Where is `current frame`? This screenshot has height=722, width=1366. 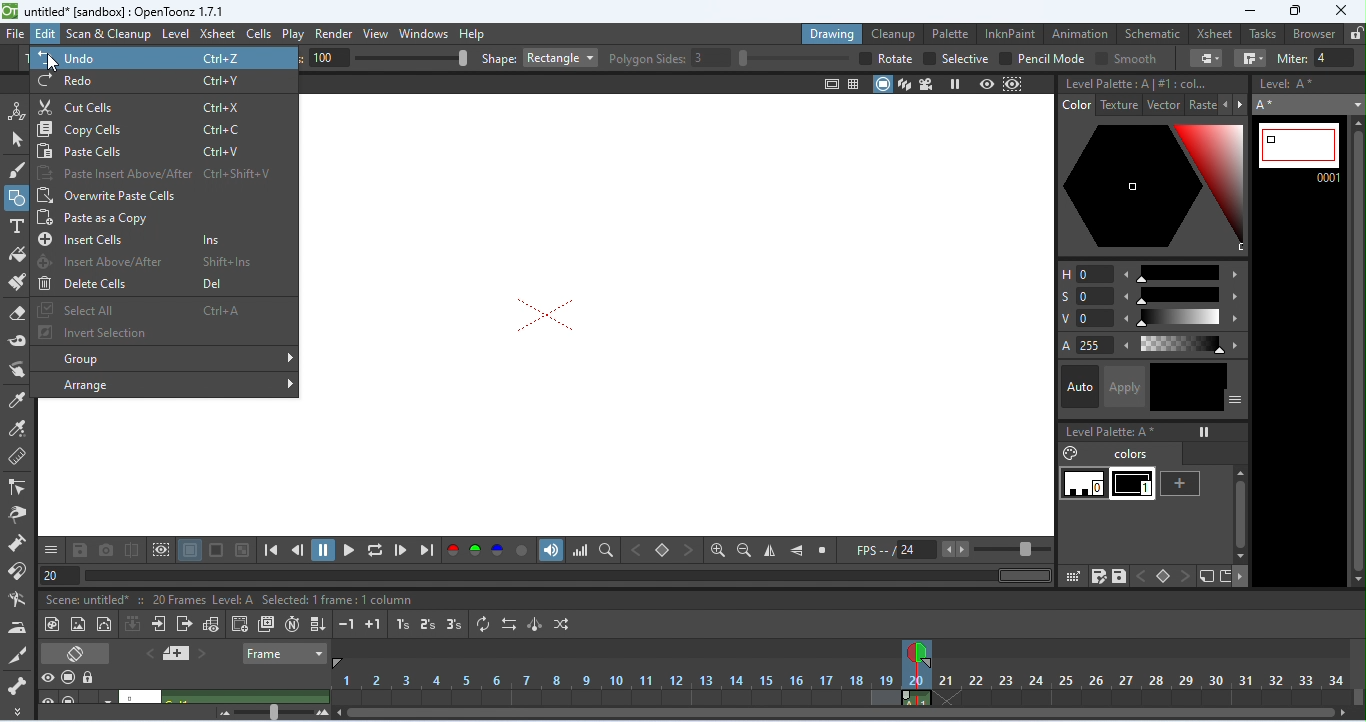 current frame is located at coordinates (1299, 152).